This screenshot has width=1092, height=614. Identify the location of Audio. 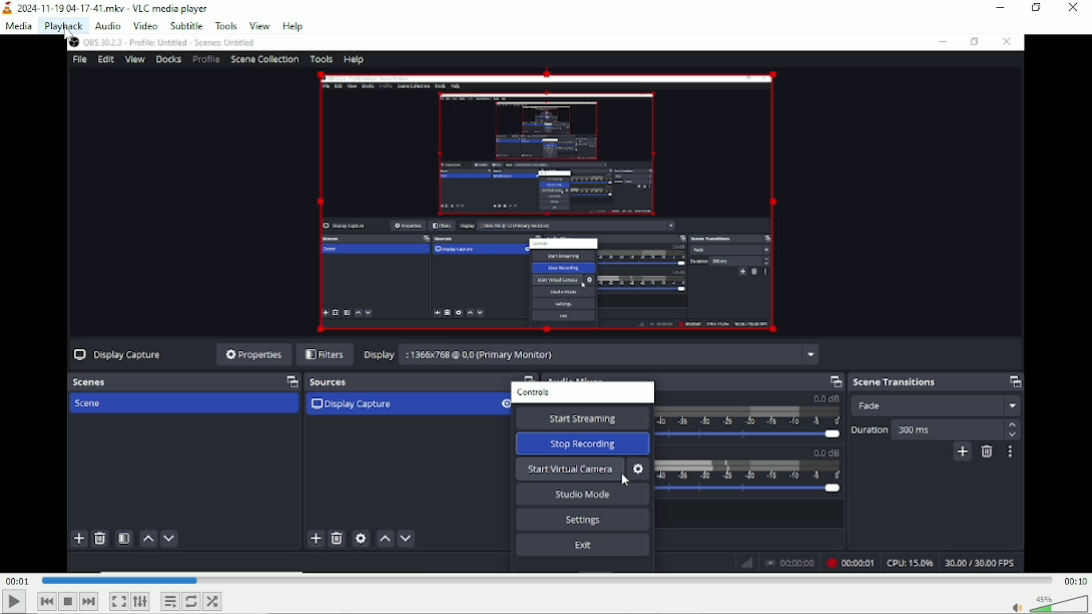
(106, 25).